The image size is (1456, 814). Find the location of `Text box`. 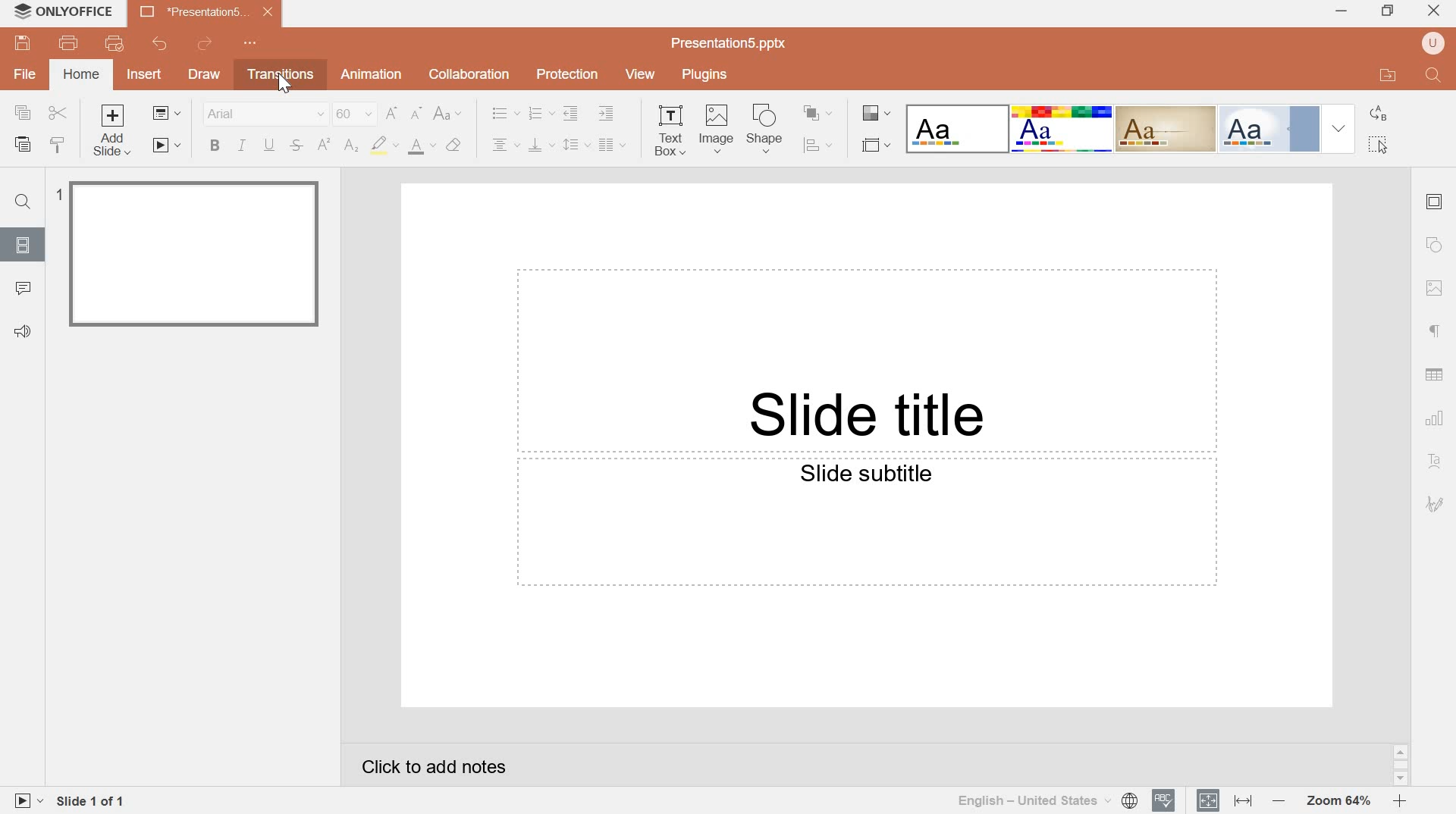

Text box is located at coordinates (670, 134).